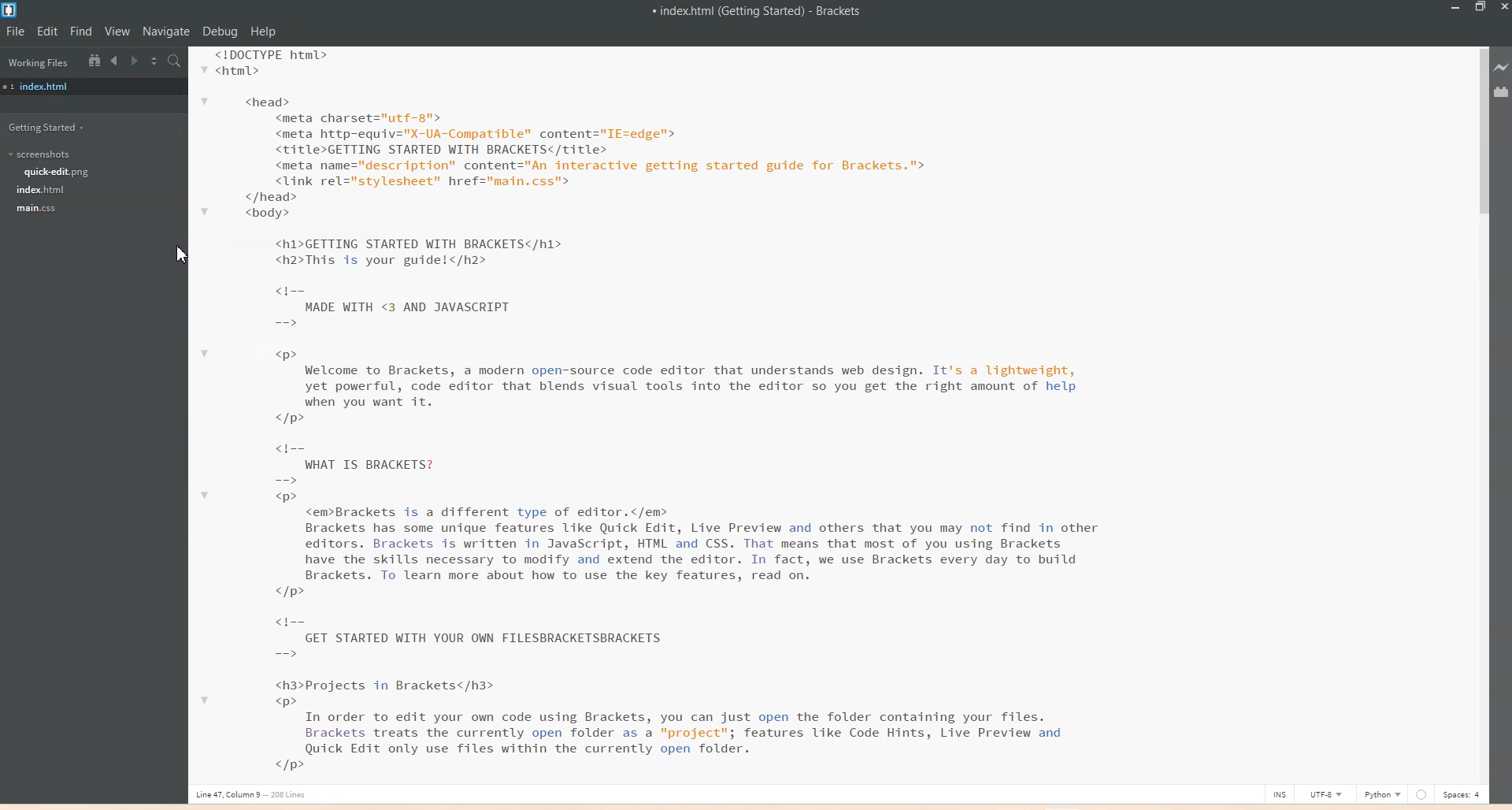 The width and height of the screenshot is (1512, 810). Describe the element at coordinates (1421, 794) in the screenshot. I see `` at that location.